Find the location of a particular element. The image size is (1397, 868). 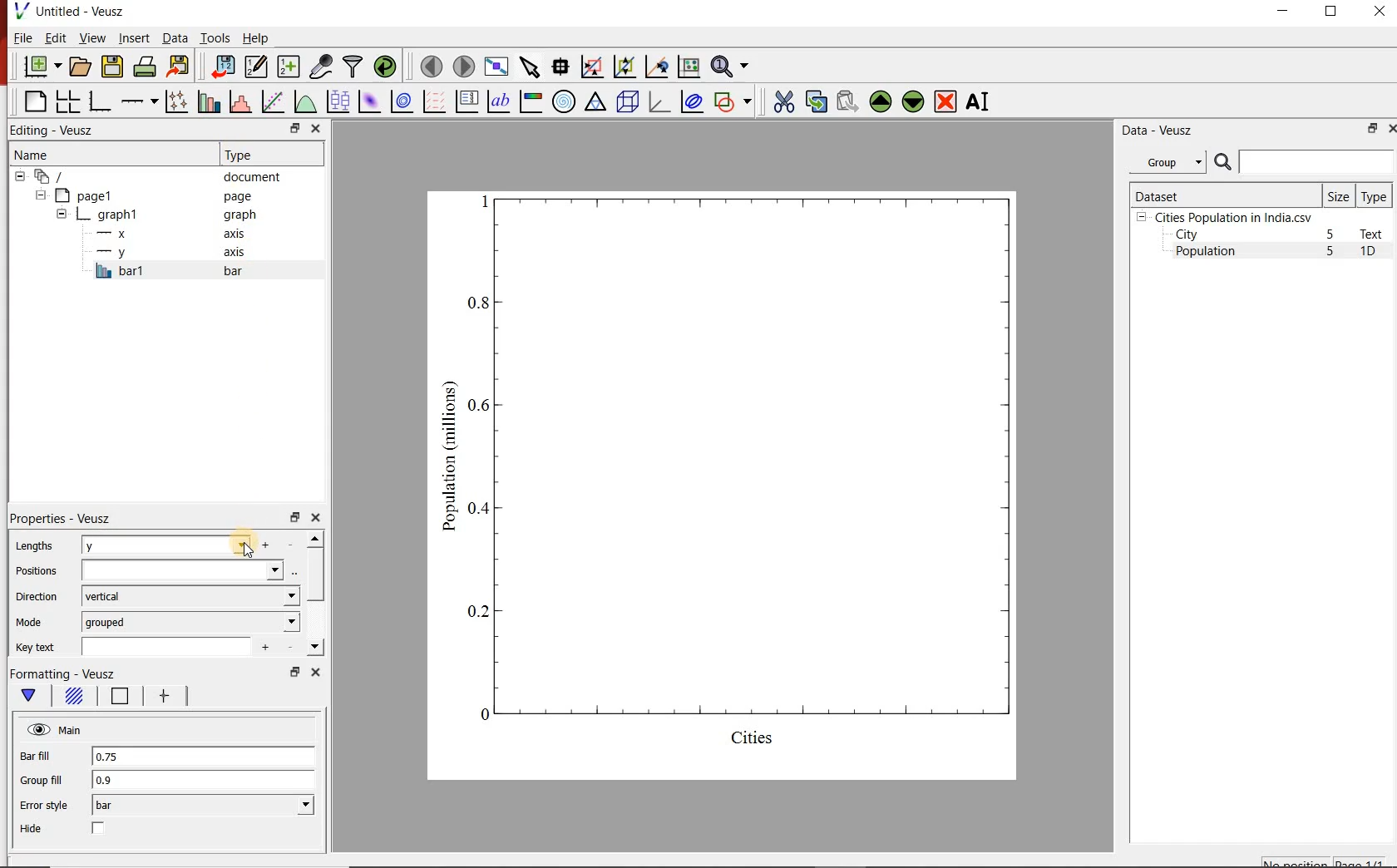

bar is located at coordinates (203, 806).